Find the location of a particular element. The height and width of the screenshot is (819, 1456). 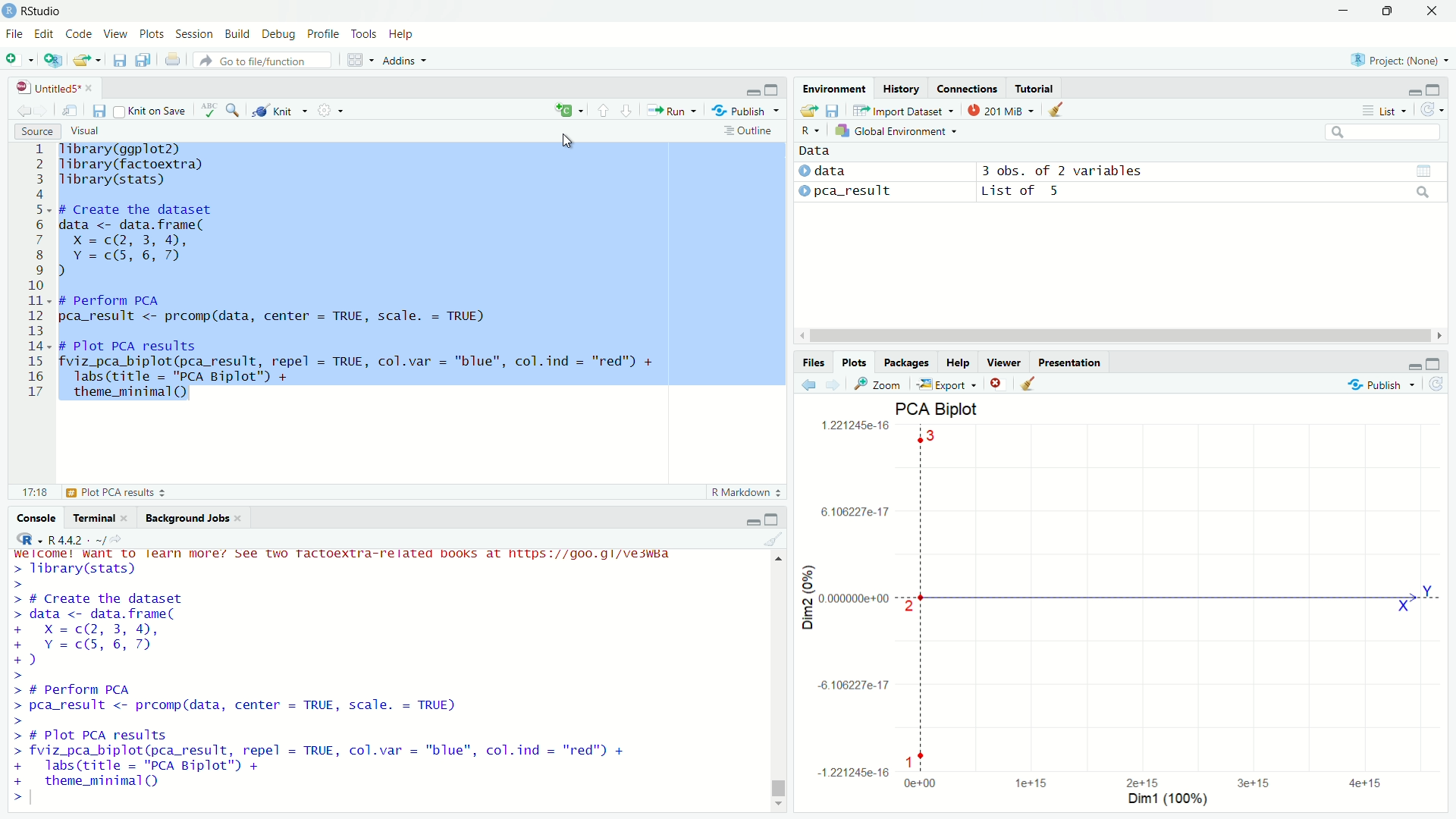

history is located at coordinates (902, 89).